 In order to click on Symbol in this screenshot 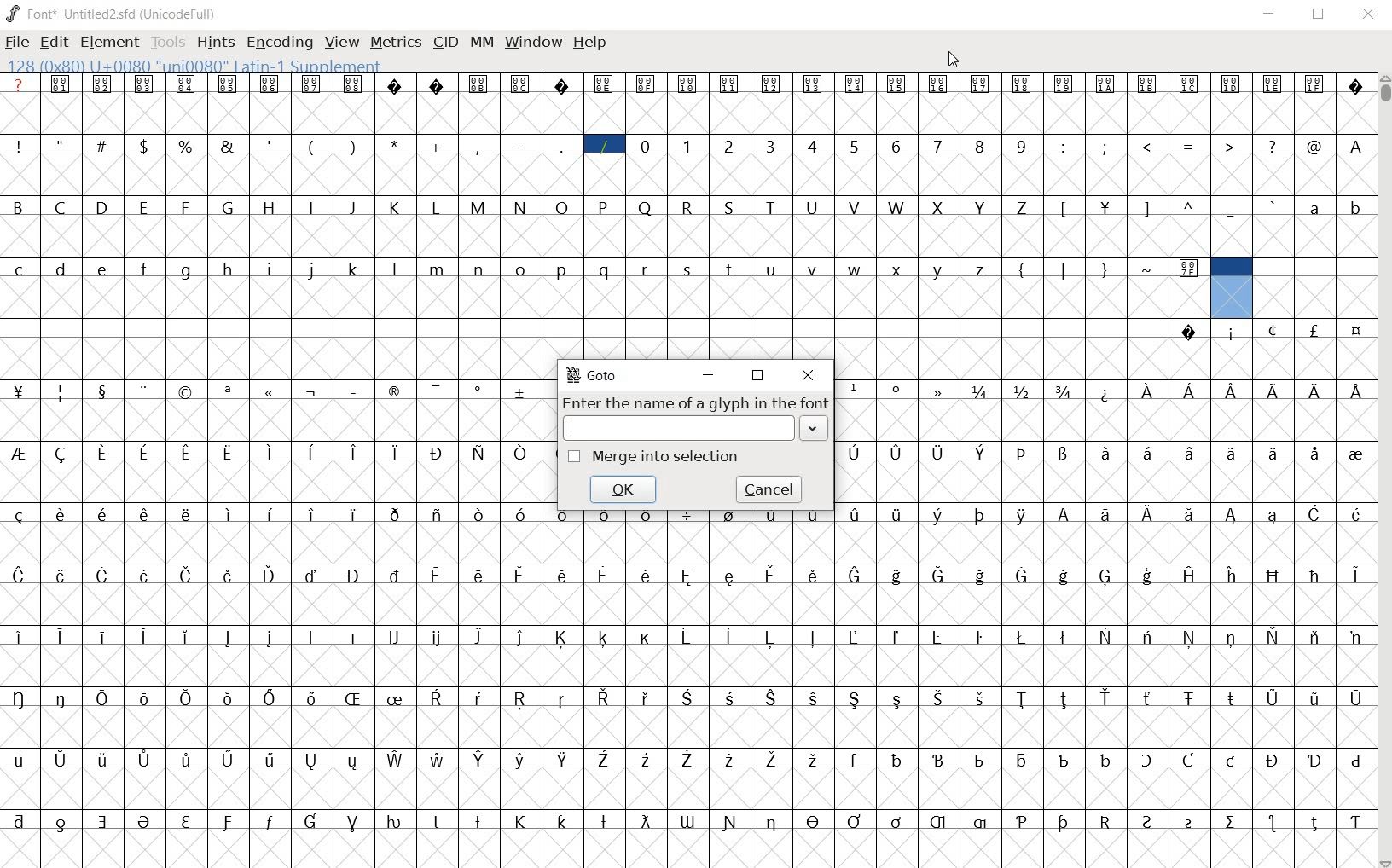, I will do `click(940, 84)`.